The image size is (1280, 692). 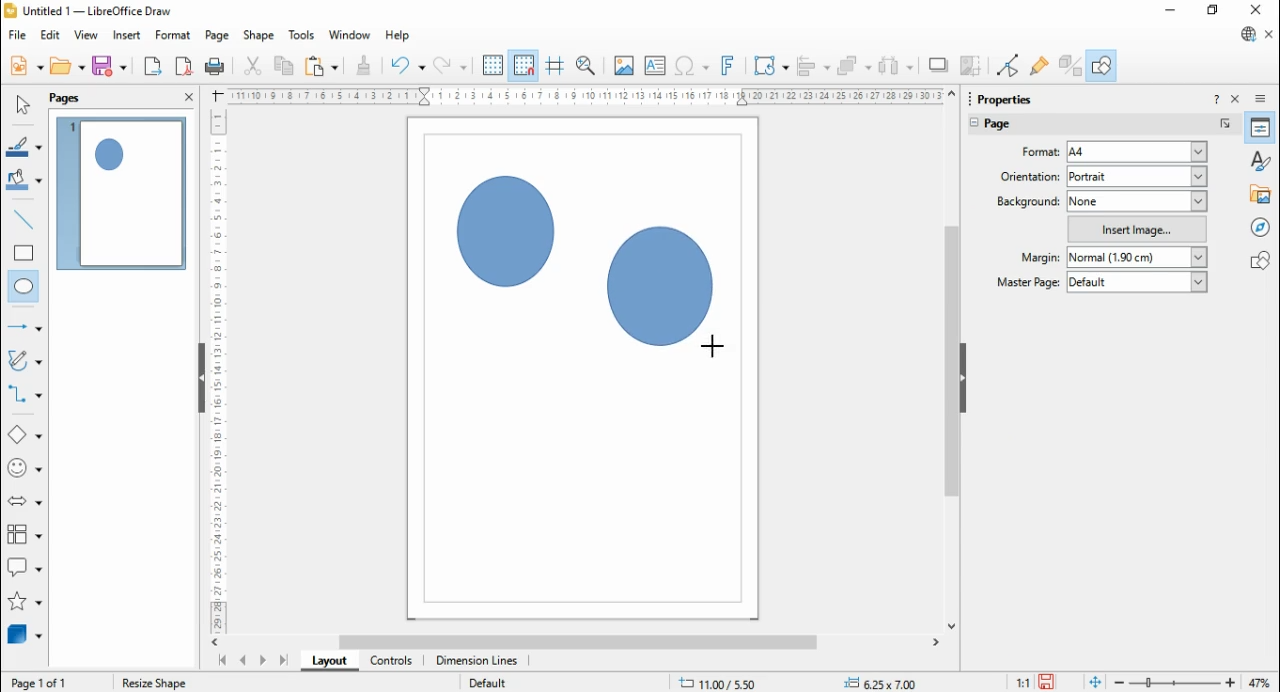 I want to click on help, so click(x=398, y=36).